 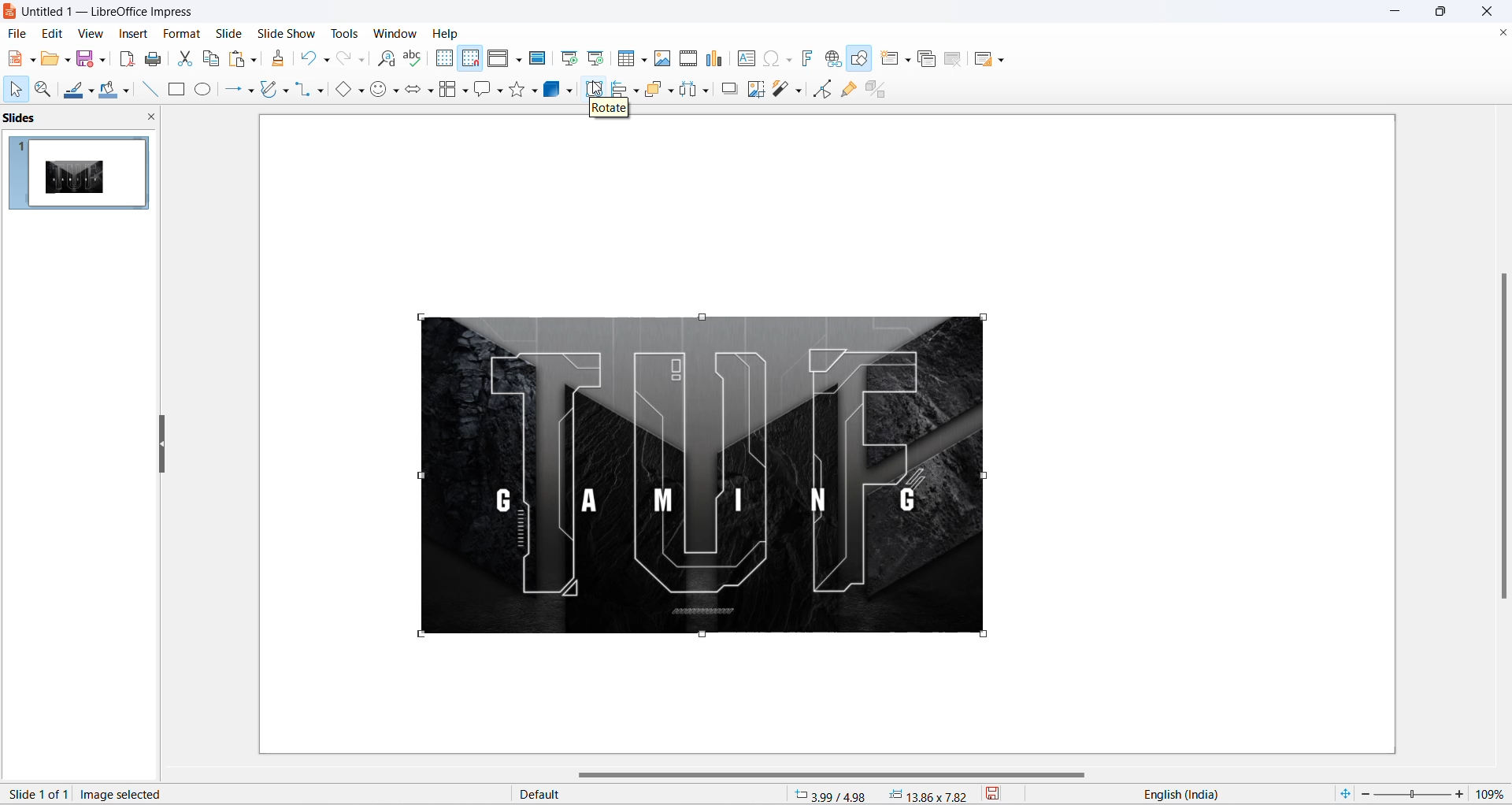 What do you see at coordinates (744, 58) in the screenshot?
I see `insert text` at bounding box center [744, 58].